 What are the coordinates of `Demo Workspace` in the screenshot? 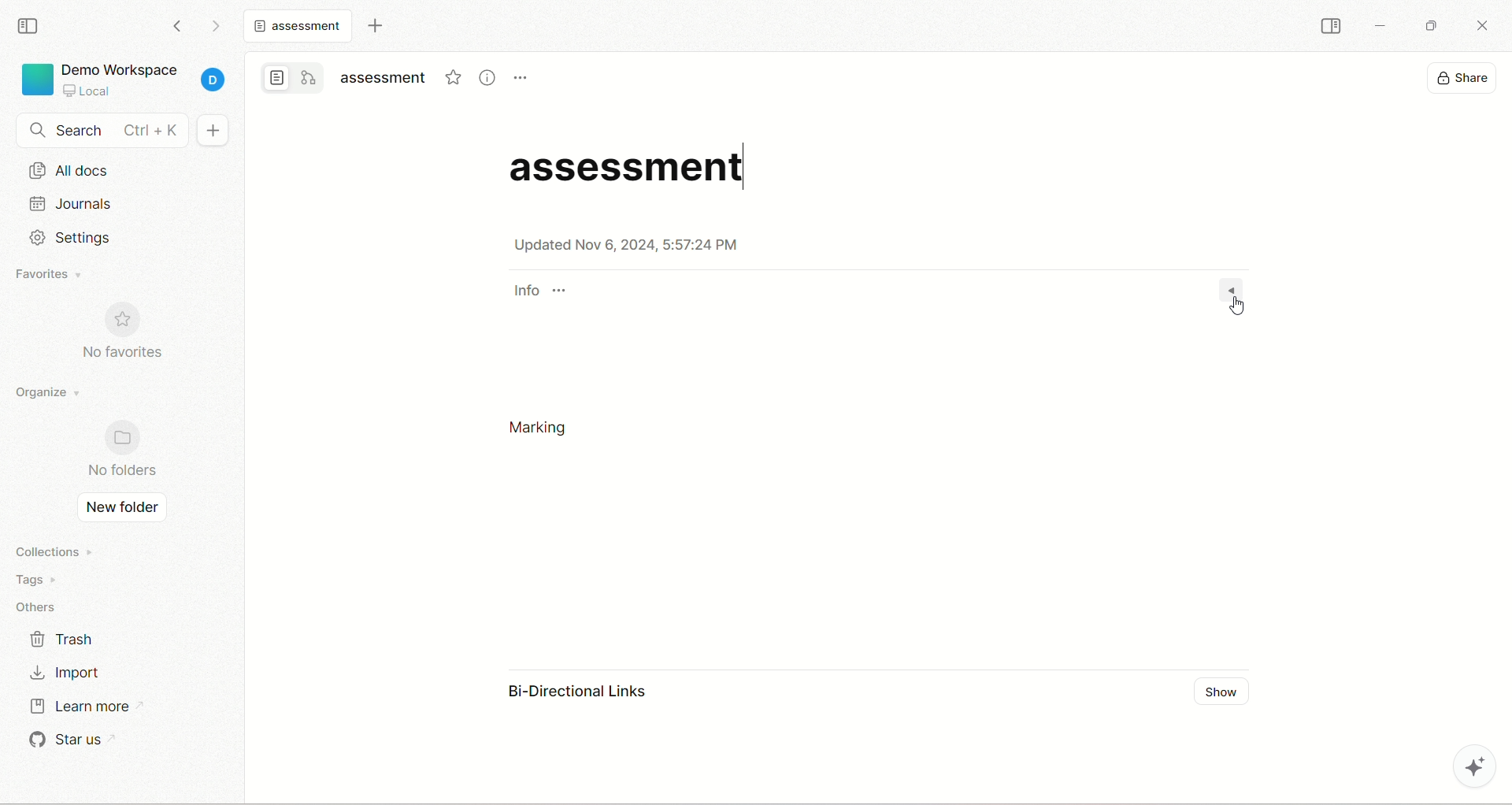 It's located at (124, 78).